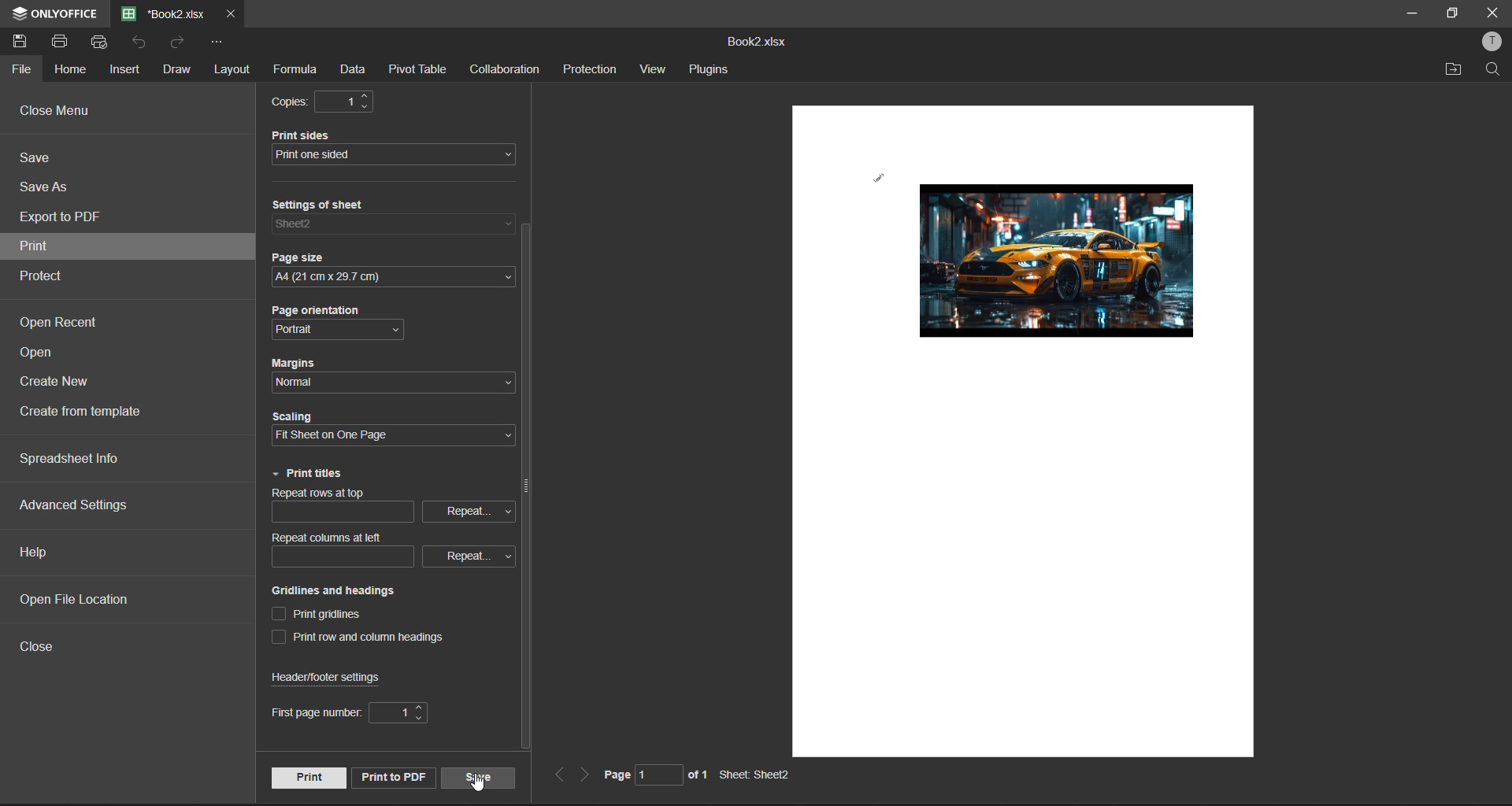  Describe the element at coordinates (421, 68) in the screenshot. I see `pivot table` at that location.